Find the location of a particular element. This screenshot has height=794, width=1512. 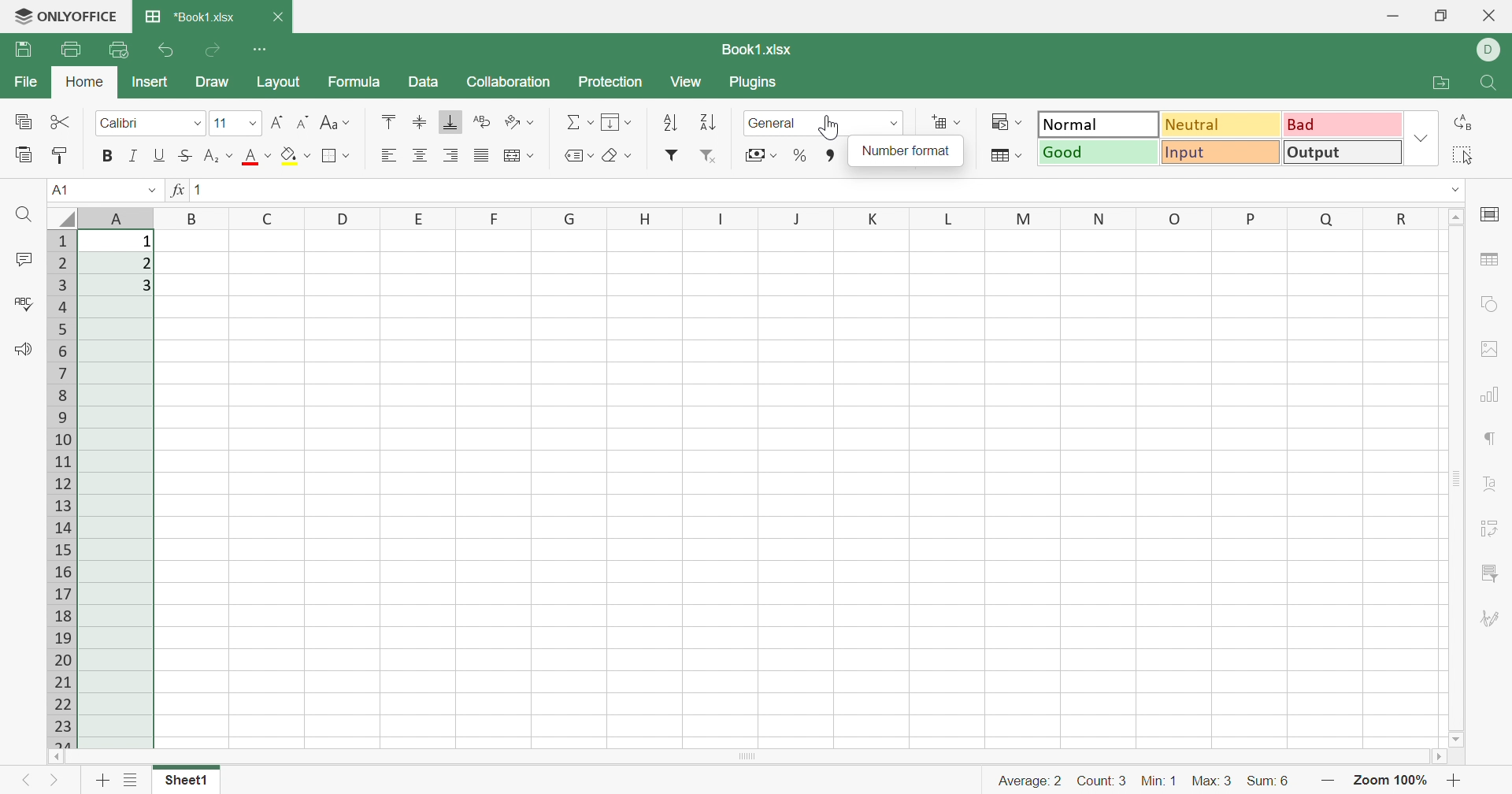

Print file is located at coordinates (72, 50).